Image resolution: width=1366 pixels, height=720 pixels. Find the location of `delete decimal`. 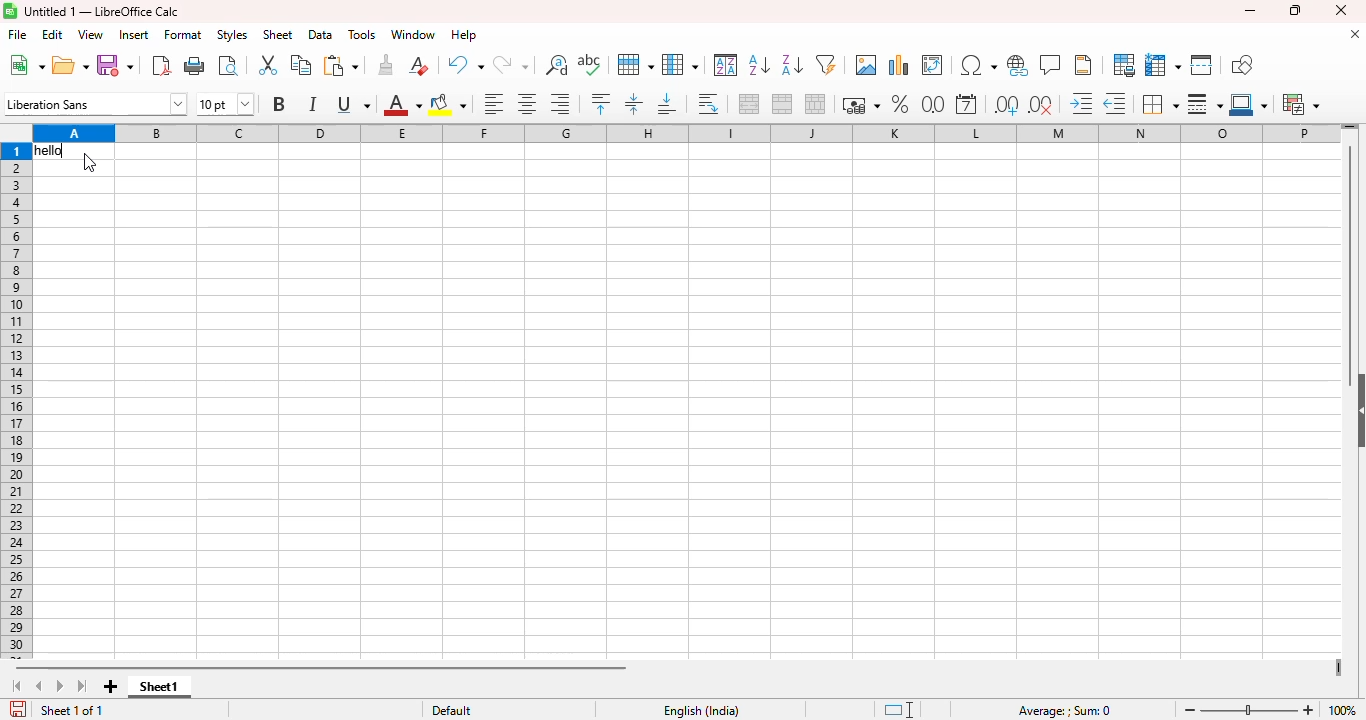

delete decimal is located at coordinates (1042, 105).